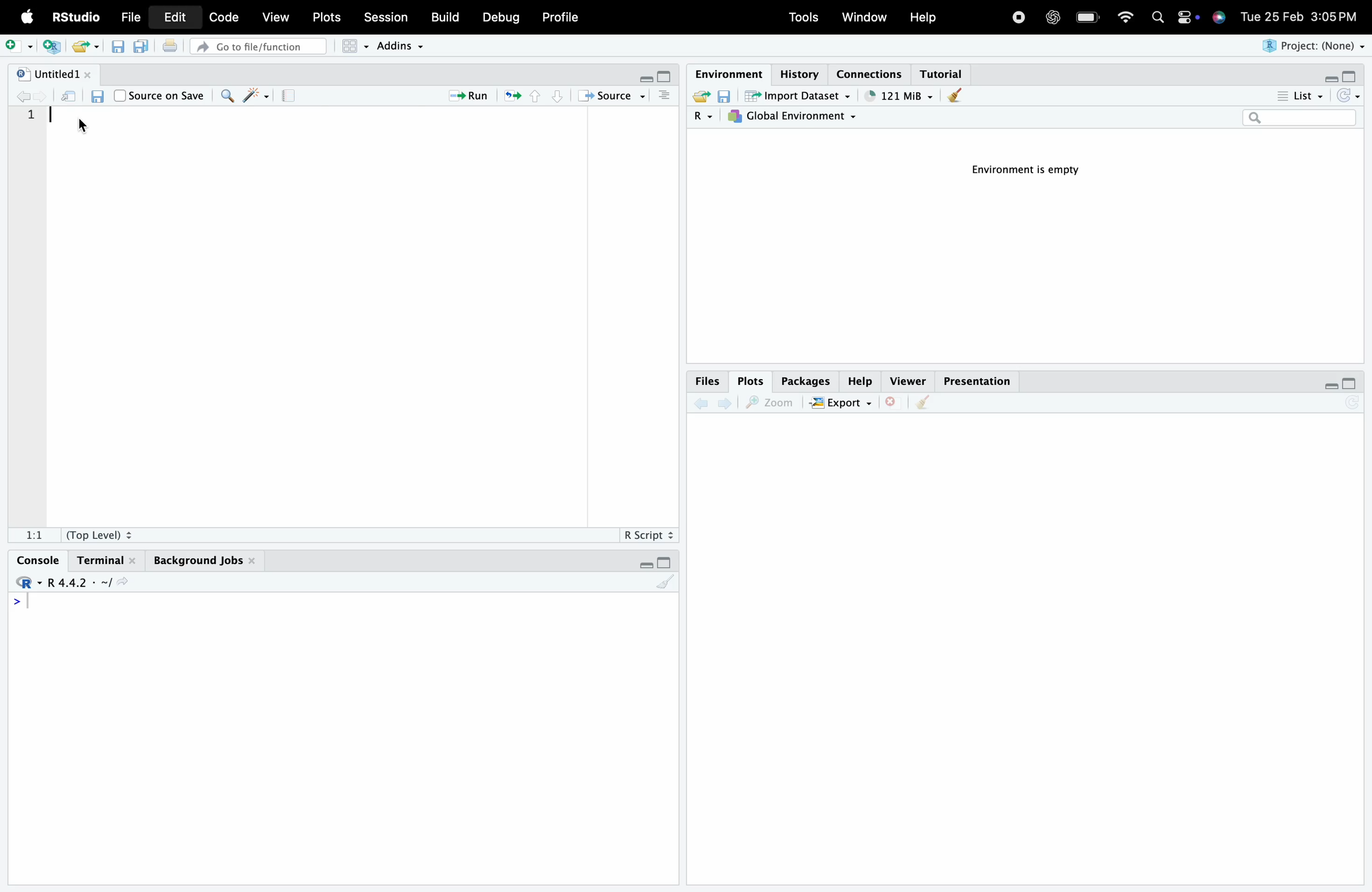  Describe the element at coordinates (927, 403) in the screenshot. I see `Clear console (Ctrl + L)` at that location.